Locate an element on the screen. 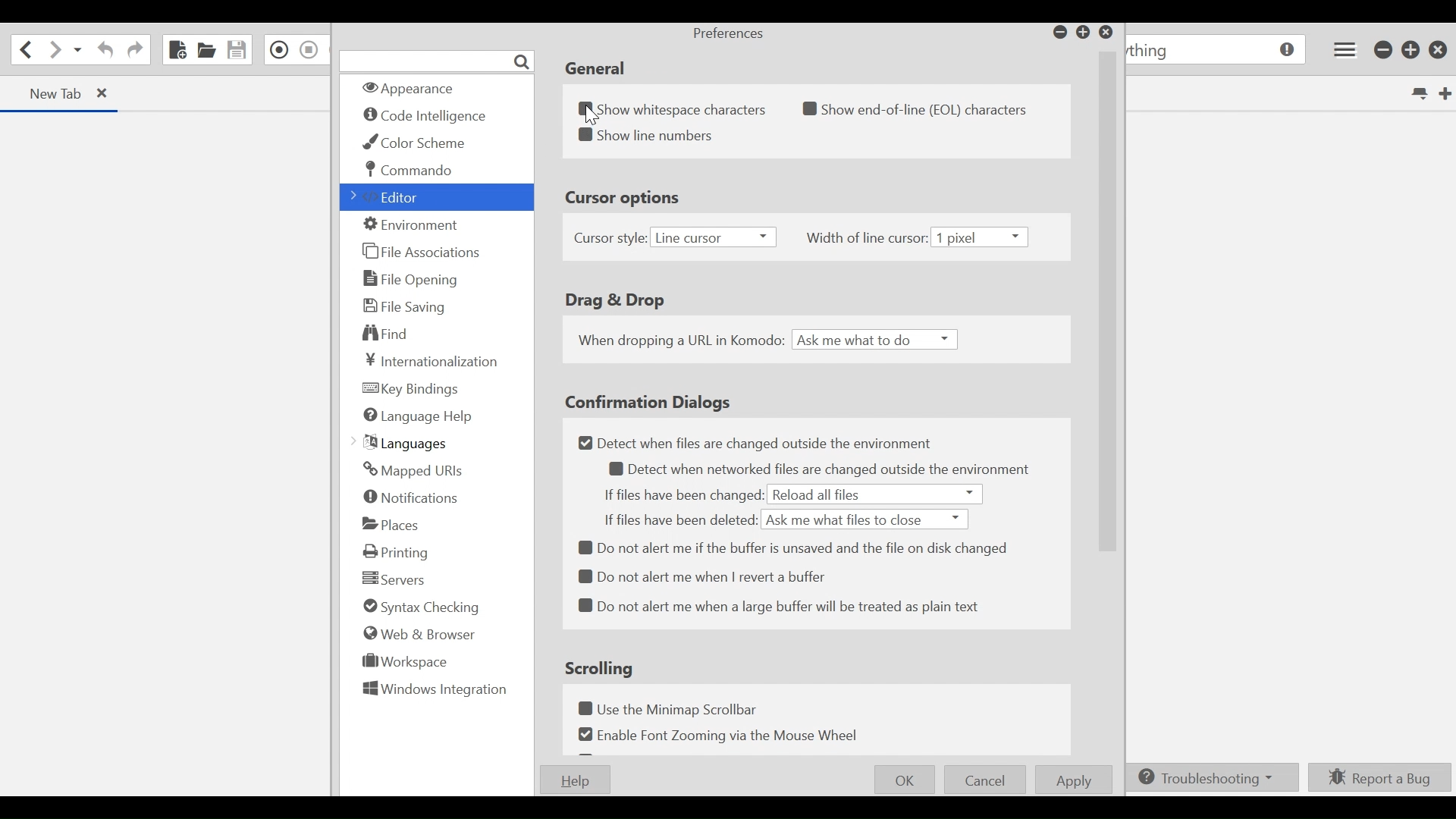  New Tab is located at coordinates (1443, 93).